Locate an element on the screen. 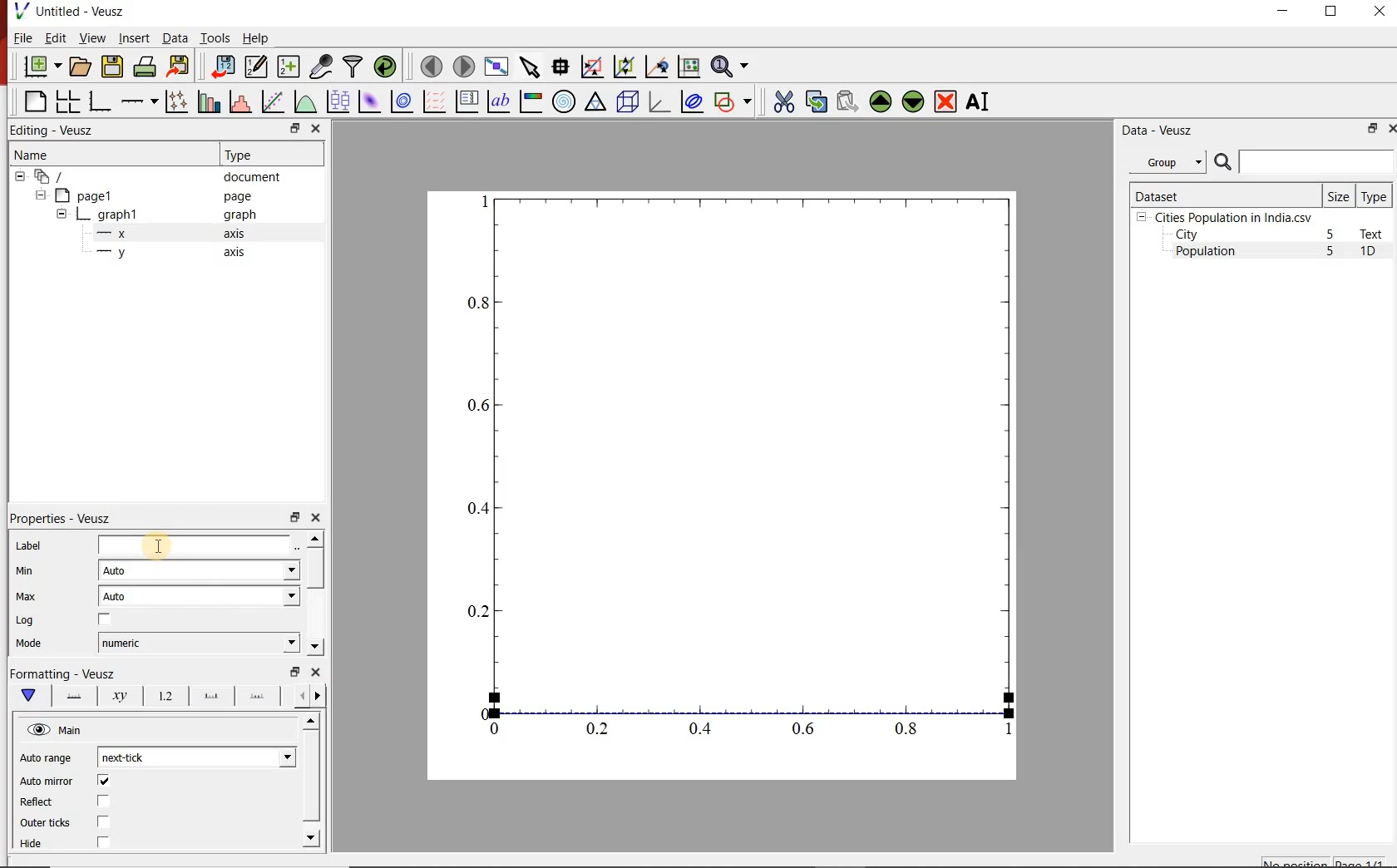 Image resolution: width=1397 pixels, height=868 pixels. move to the previous page is located at coordinates (429, 65).